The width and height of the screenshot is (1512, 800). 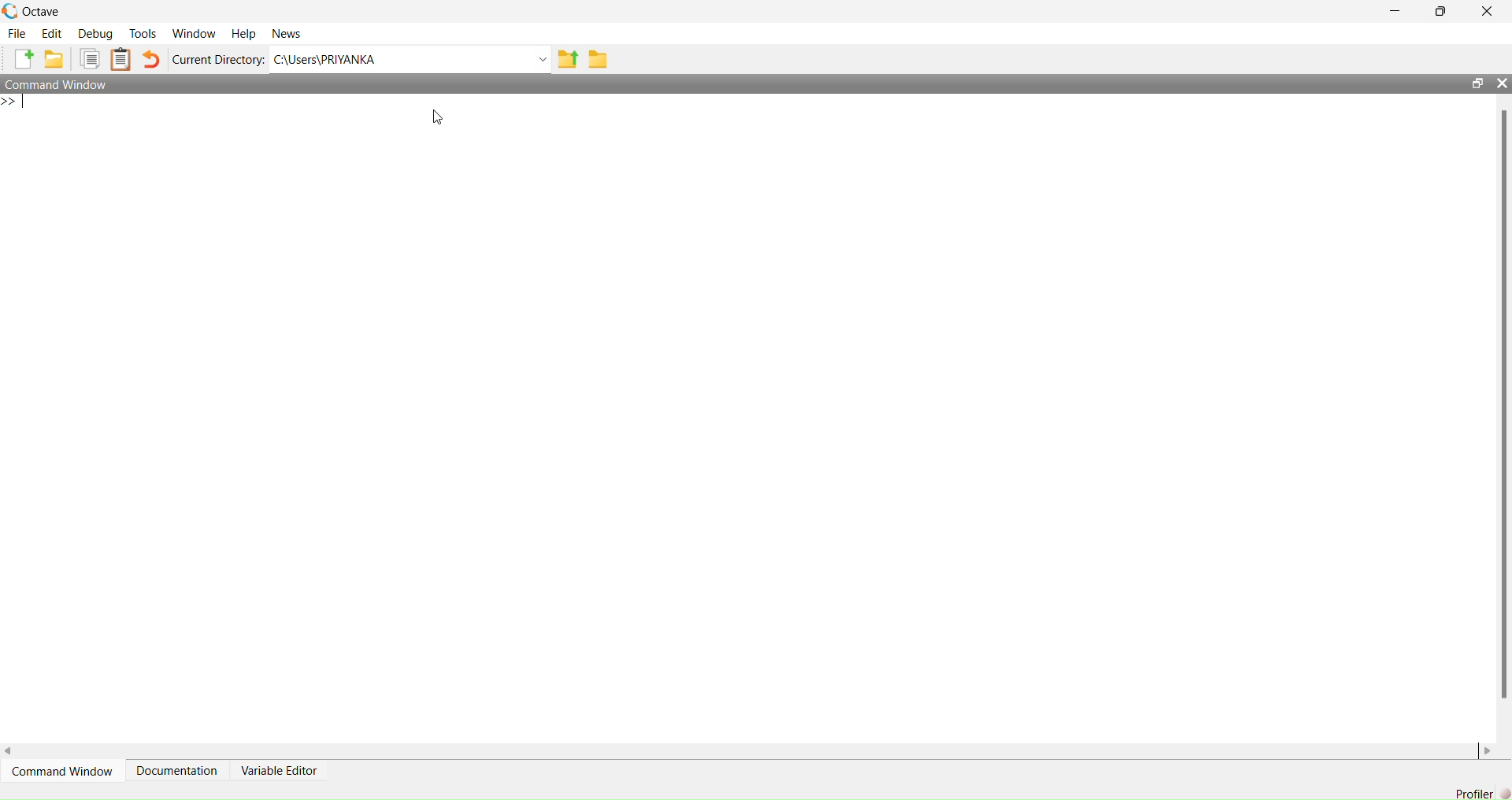 What do you see at coordinates (1440, 12) in the screenshot?
I see `maximise` at bounding box center [1440, 12].